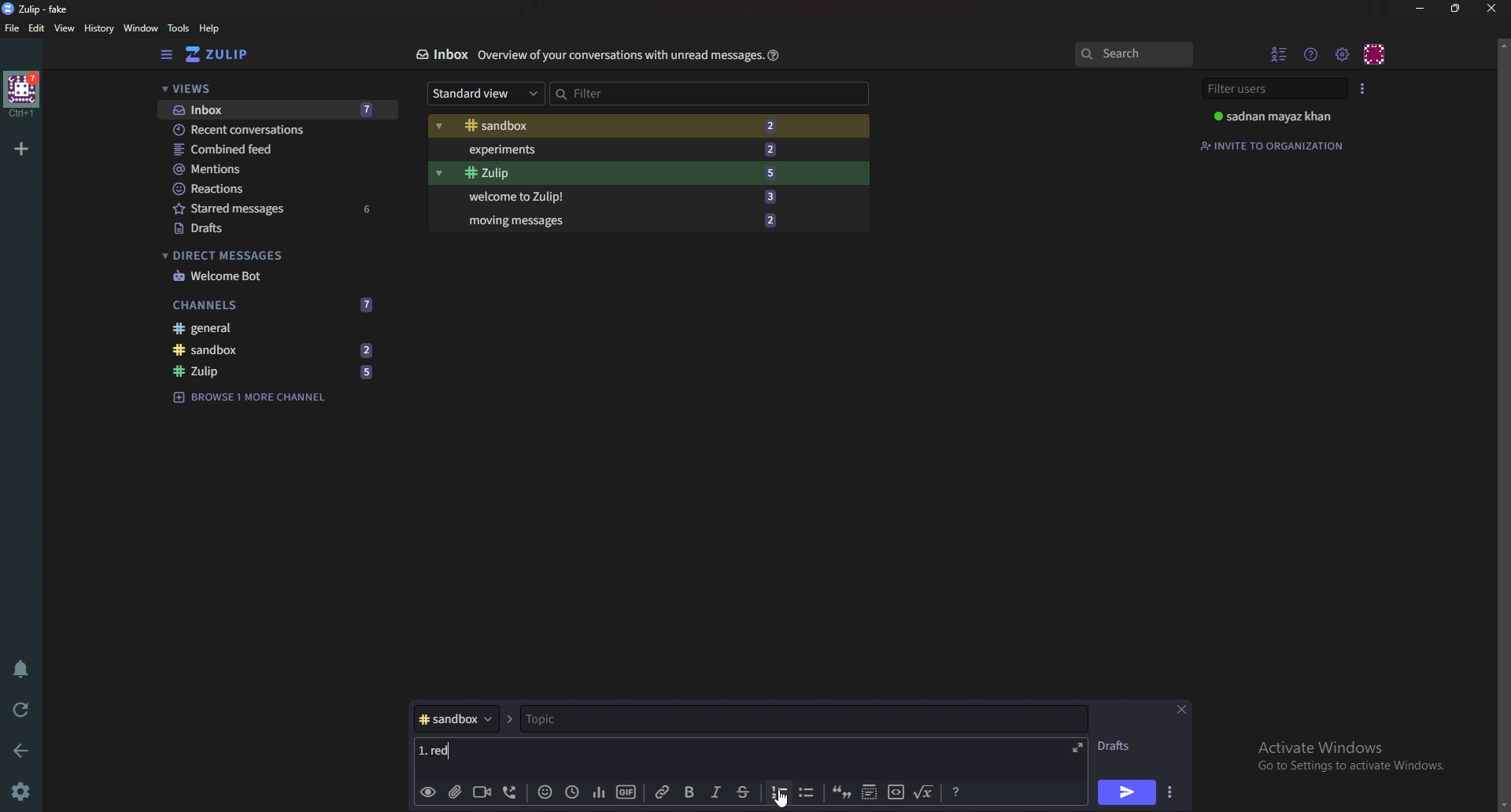  Describe the element at coordinates (1343, 54) in the screenshot. I see `main menu` at that location.